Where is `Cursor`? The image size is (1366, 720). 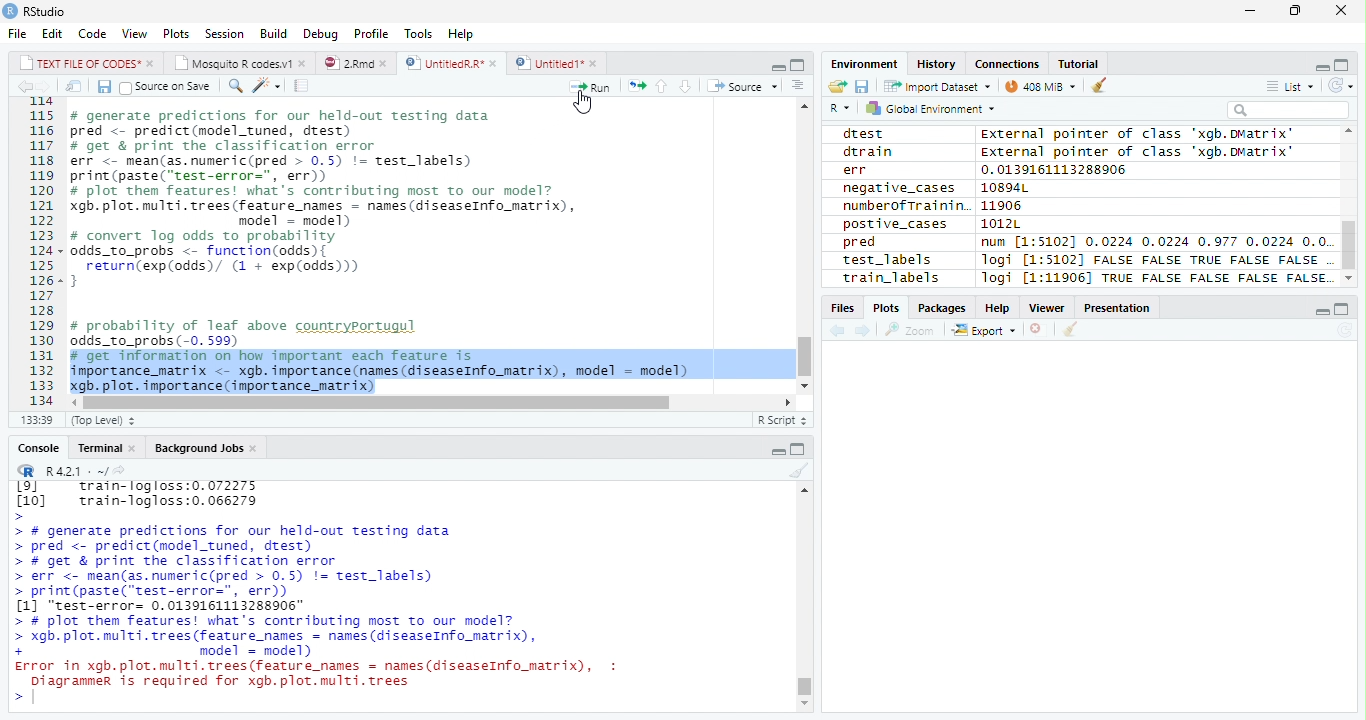 Cursor is located at coordinates (583, 102).